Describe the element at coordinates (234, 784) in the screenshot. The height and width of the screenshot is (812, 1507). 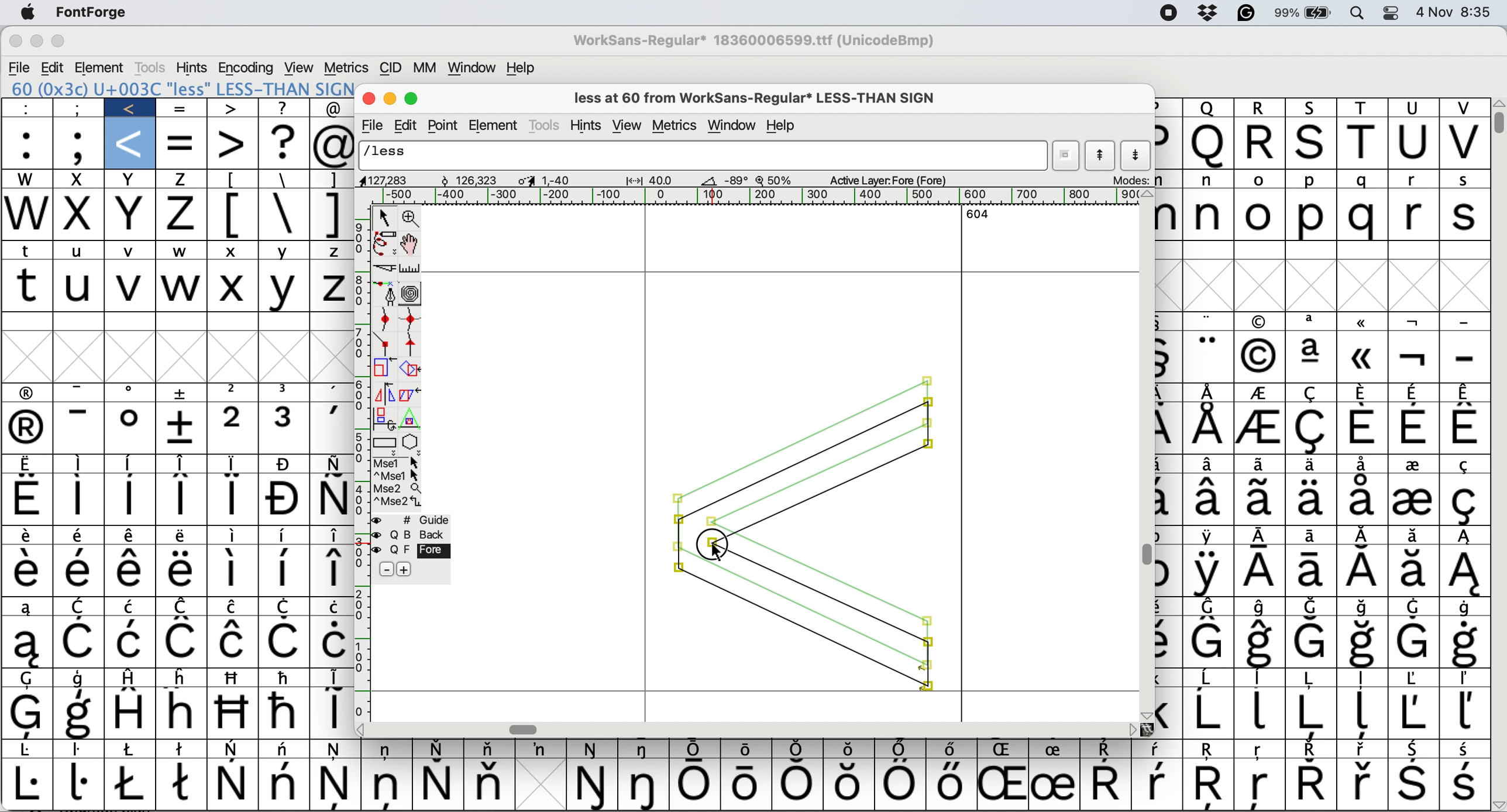
I see `Symbol` at that location.